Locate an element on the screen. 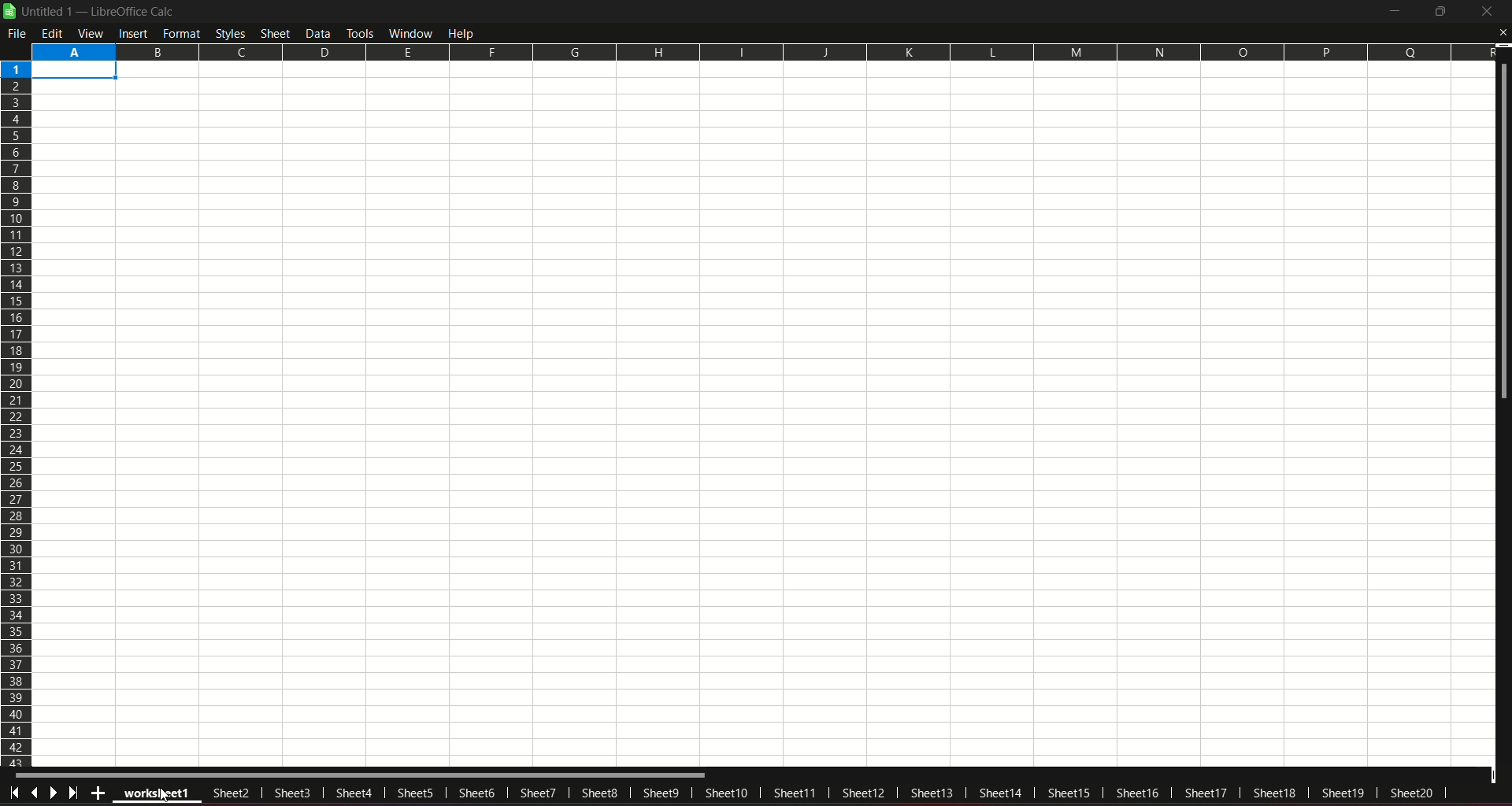  First sheet is located at coordinates (16, 791).